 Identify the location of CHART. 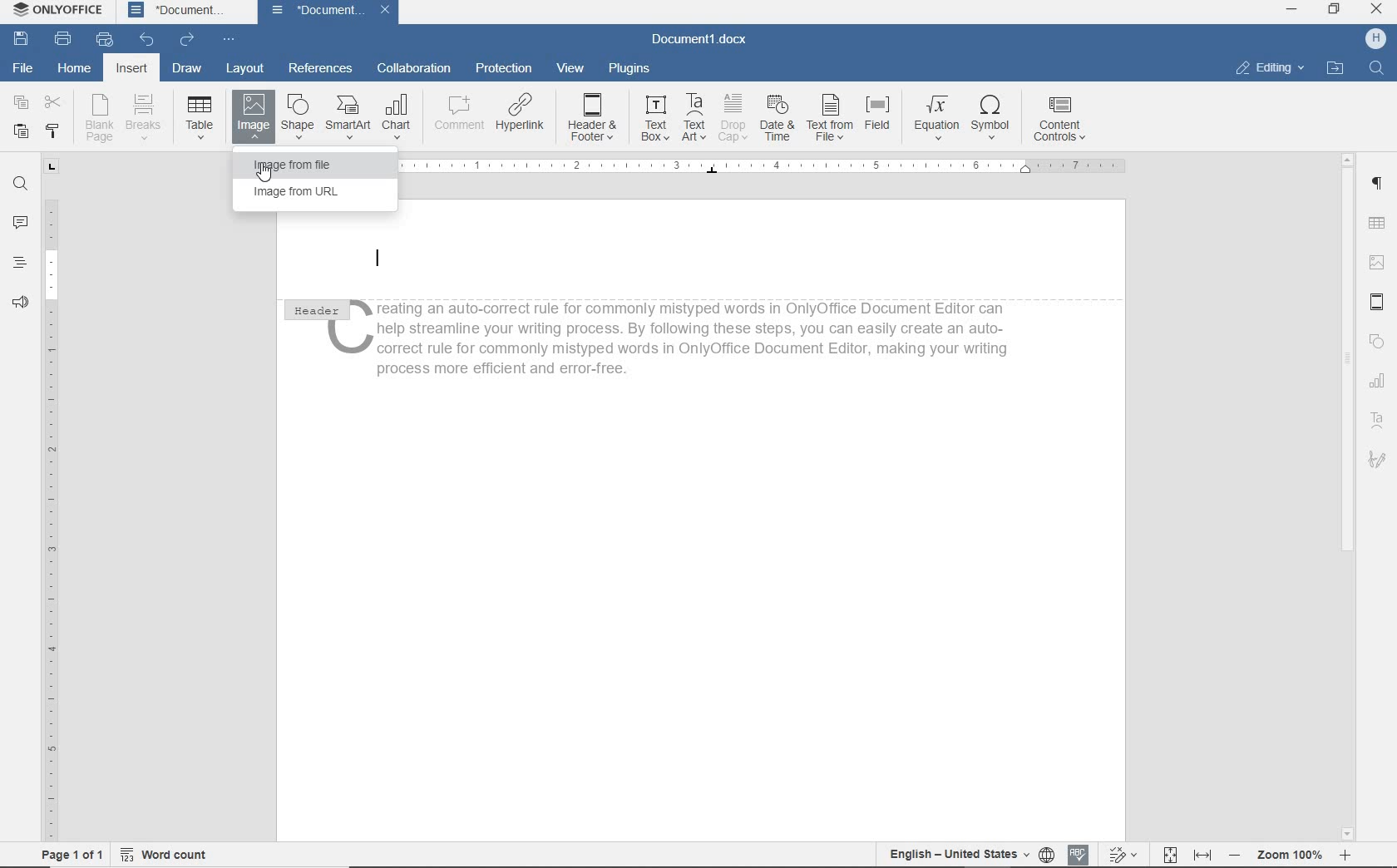
(399, 120).